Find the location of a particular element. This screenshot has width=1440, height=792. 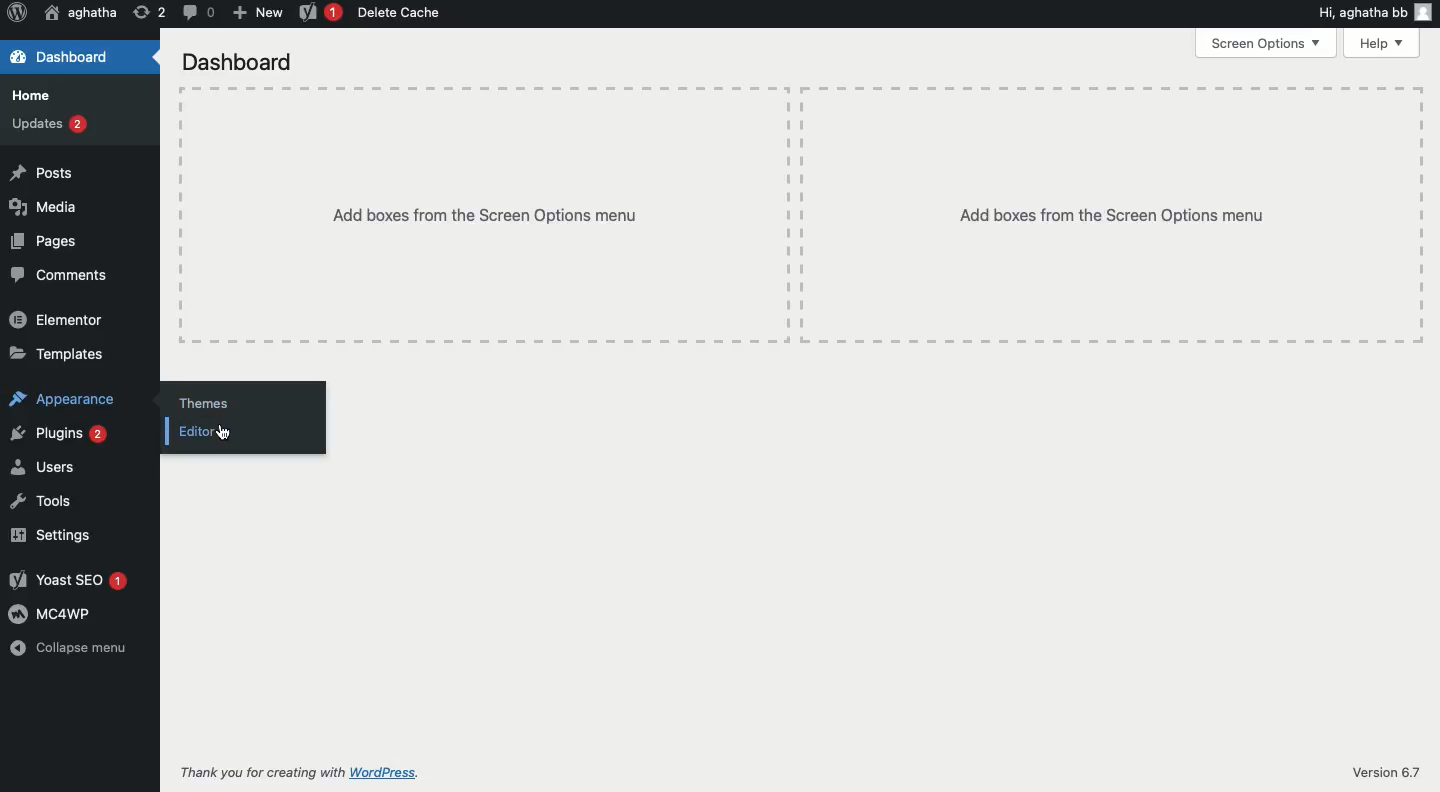

Home is located at coordinates (37, 97).